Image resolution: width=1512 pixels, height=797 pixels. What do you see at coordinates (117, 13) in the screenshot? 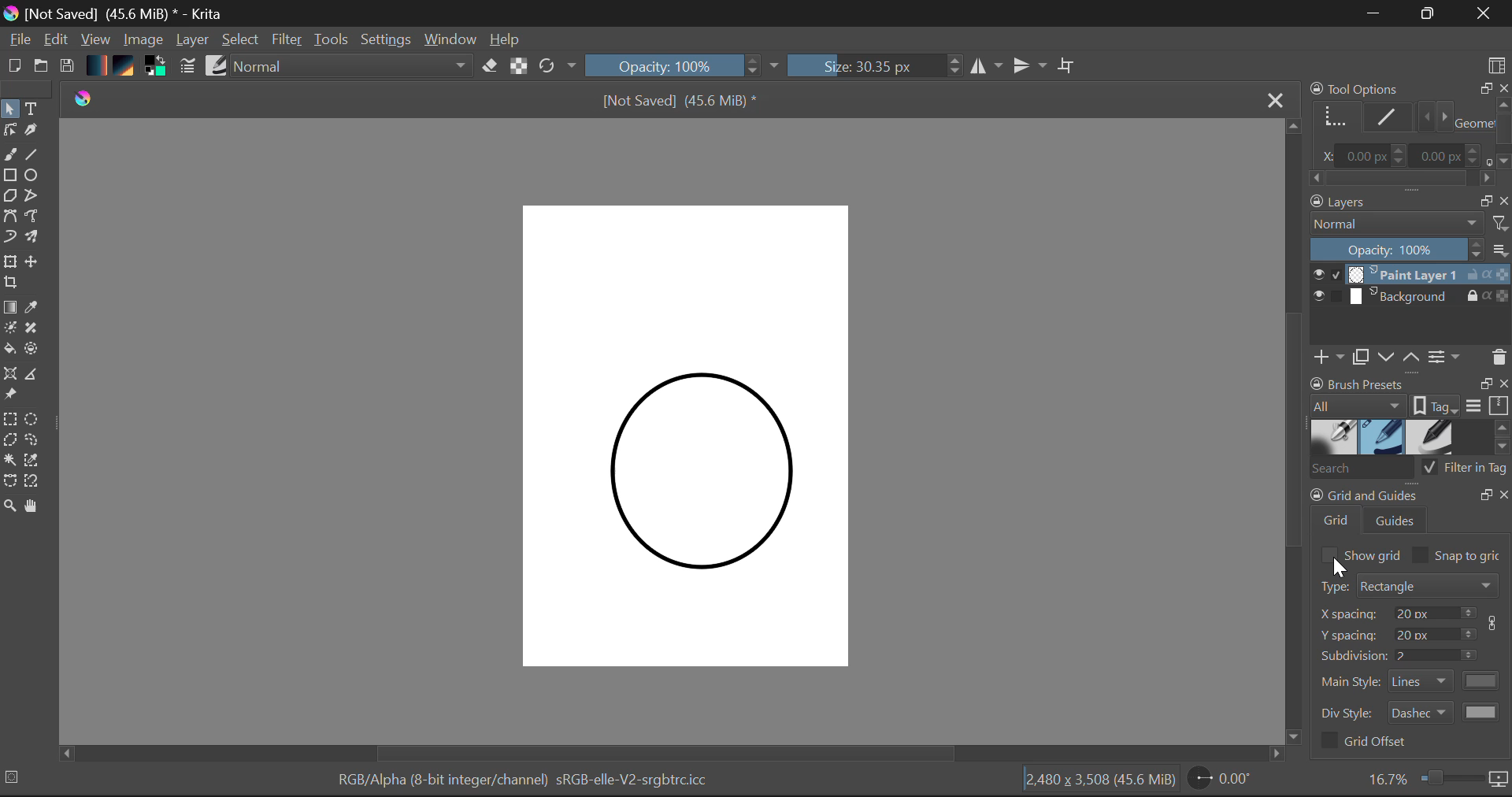
I see `Window Title` at bounding box center [117, 13].